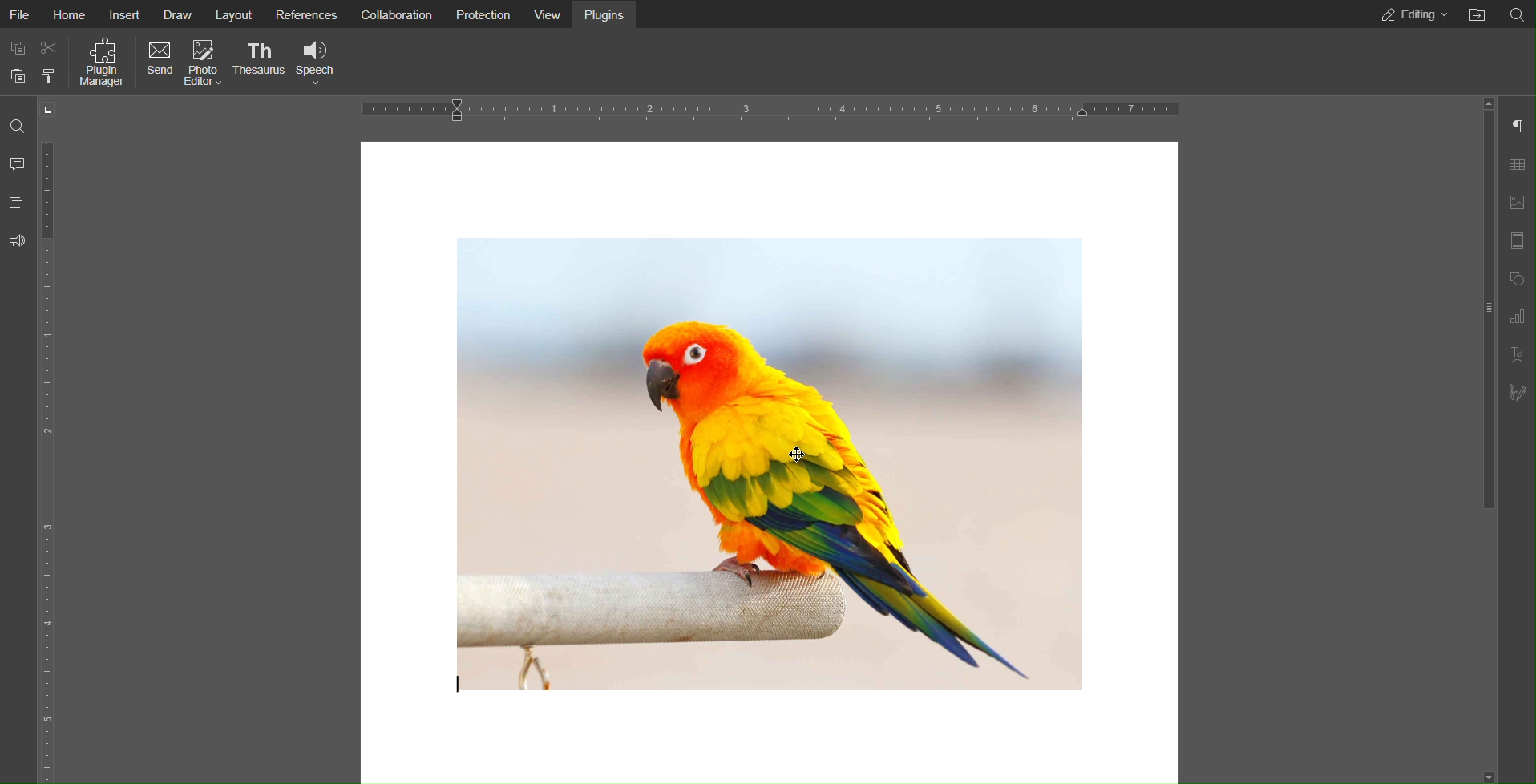 The height and width of the screenshot is (784, 1536). What do you see at coordinates (22, 13) in the screenshot?
I see `File` at bounding box center [22, 13].